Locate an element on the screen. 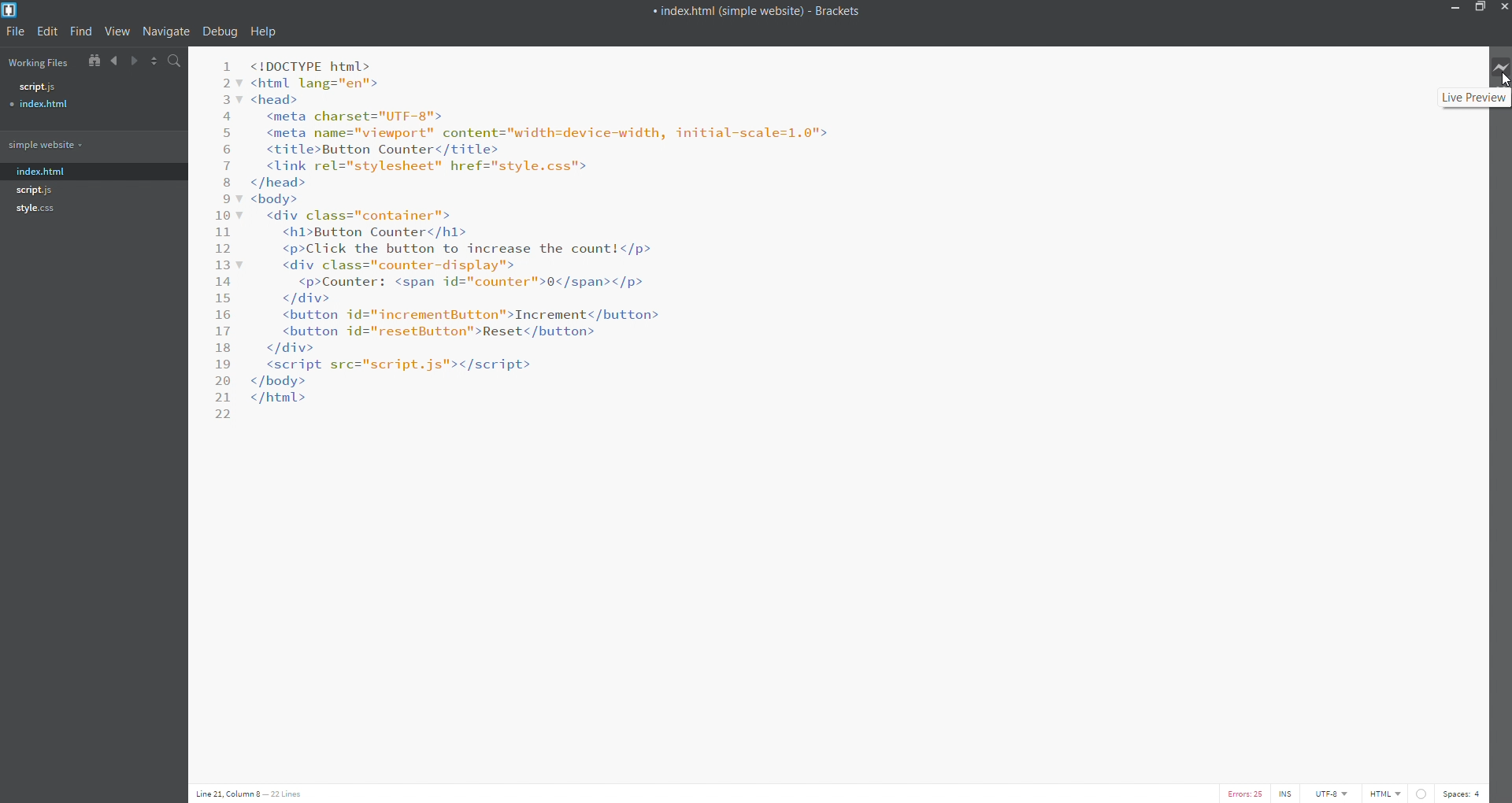  « indexhtml (simple website) - Brackets is located at coordinates (780, 11).